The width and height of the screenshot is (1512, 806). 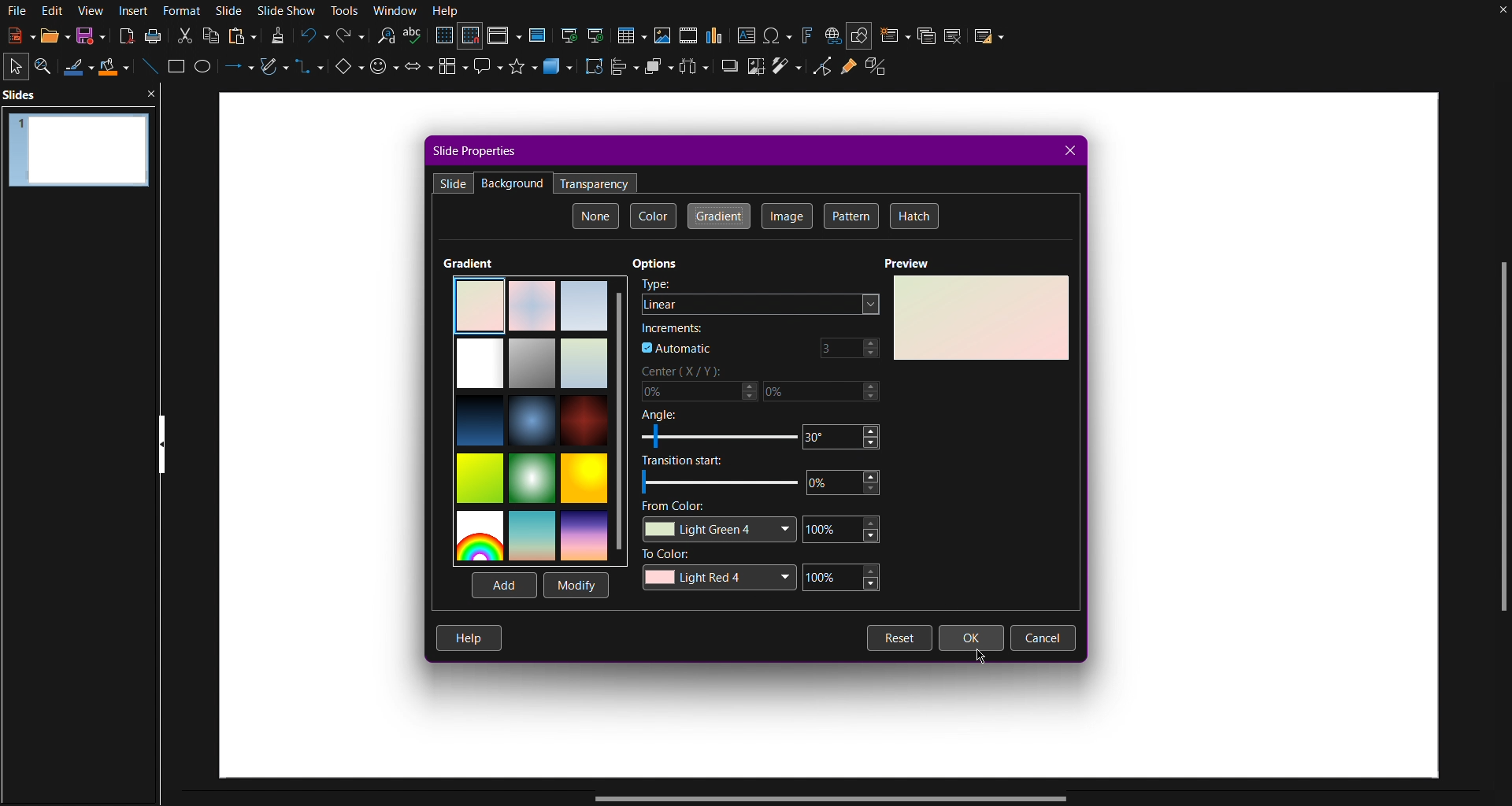 What do you see at coordinates (91, 10) in the screenshot?
I see `View` at bounding box center [91, 10].